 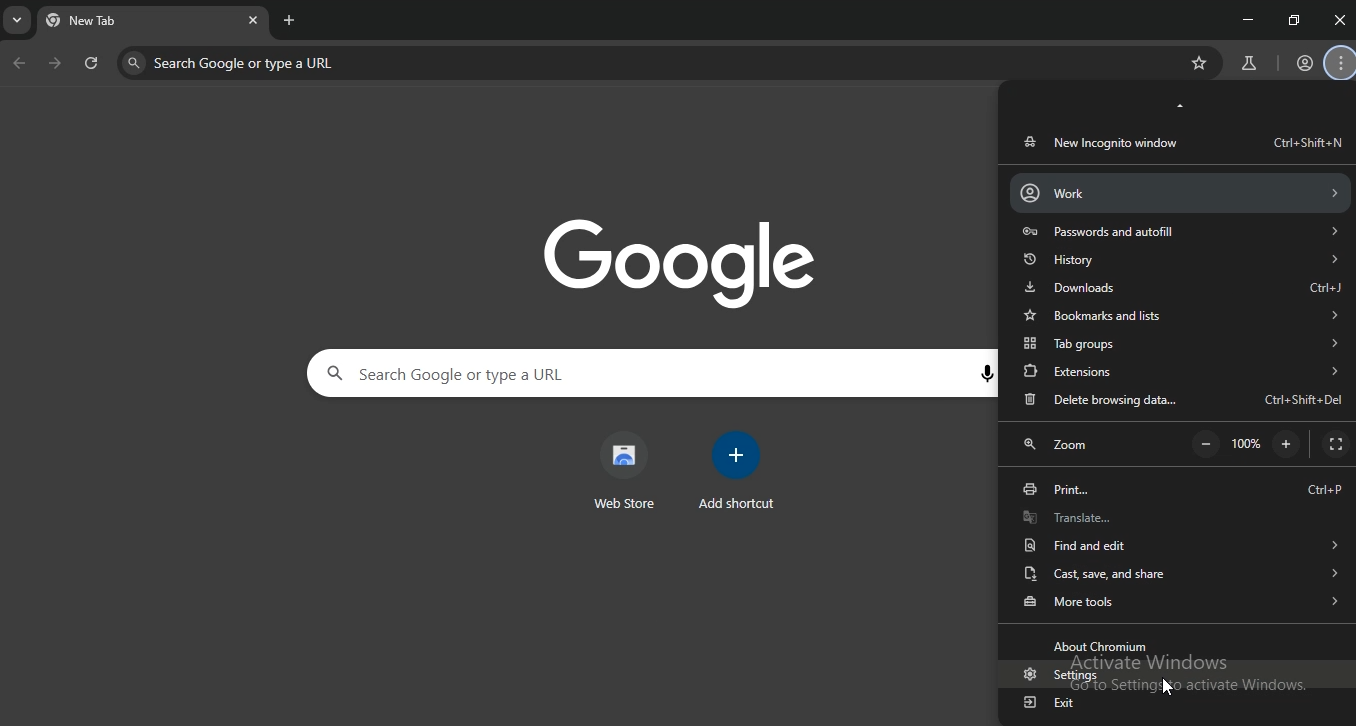 I want to click on search labs, so click(x=1246, y=64).